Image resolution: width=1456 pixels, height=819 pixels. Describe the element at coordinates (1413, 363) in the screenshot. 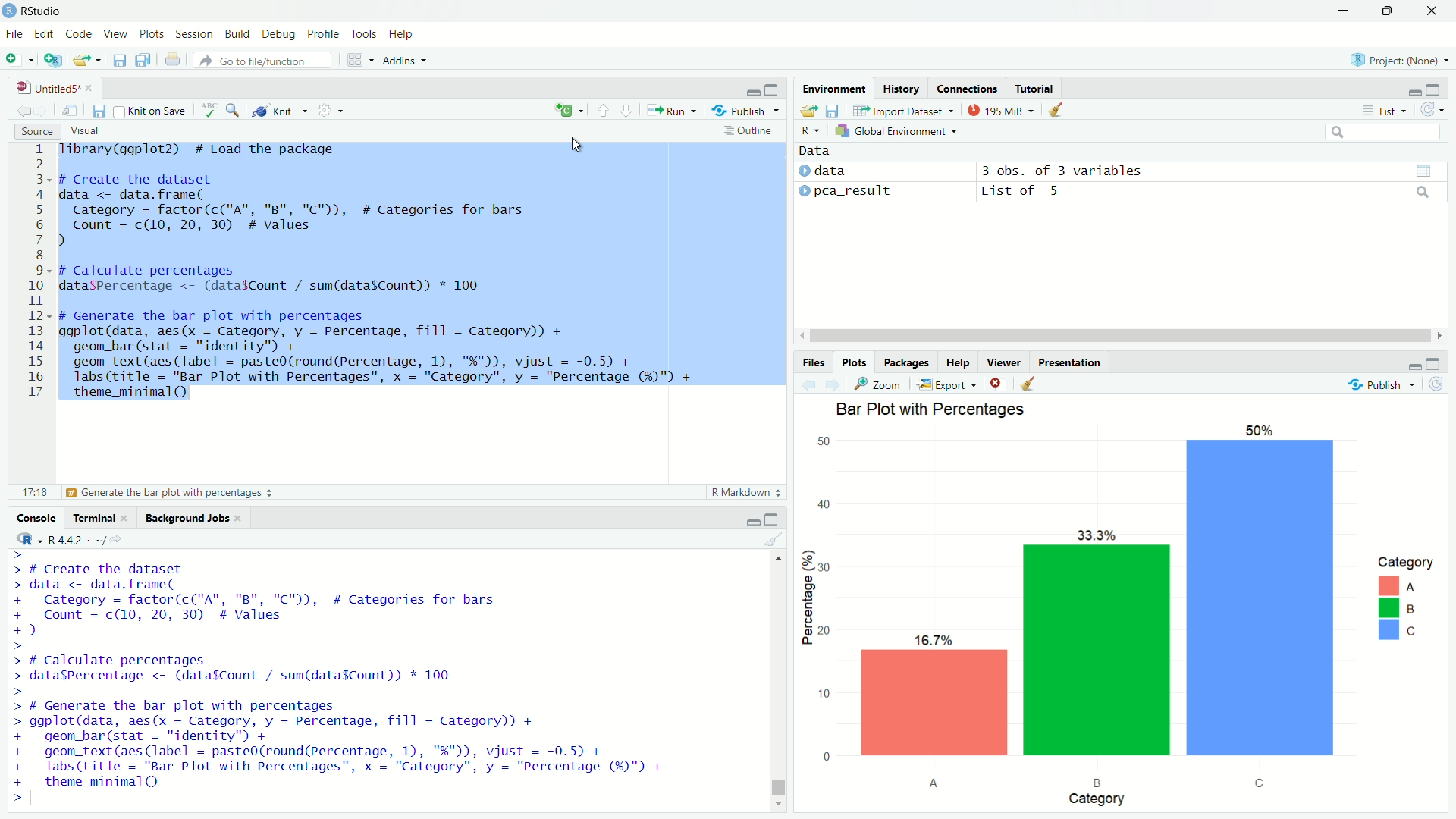

I see `minimize` at that location.